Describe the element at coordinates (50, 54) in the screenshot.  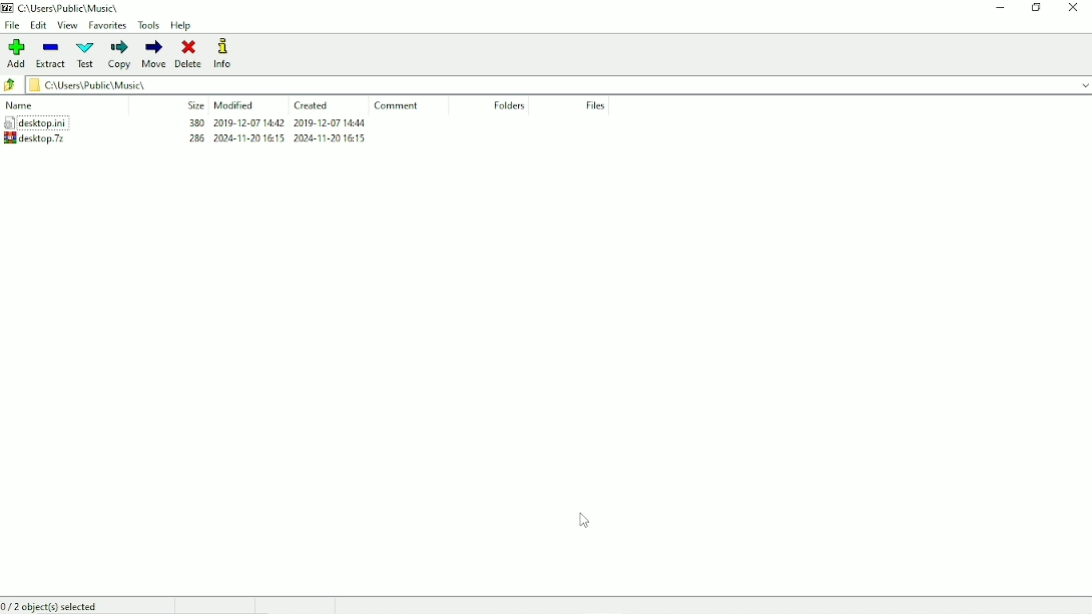
I see `Extract` at that location.